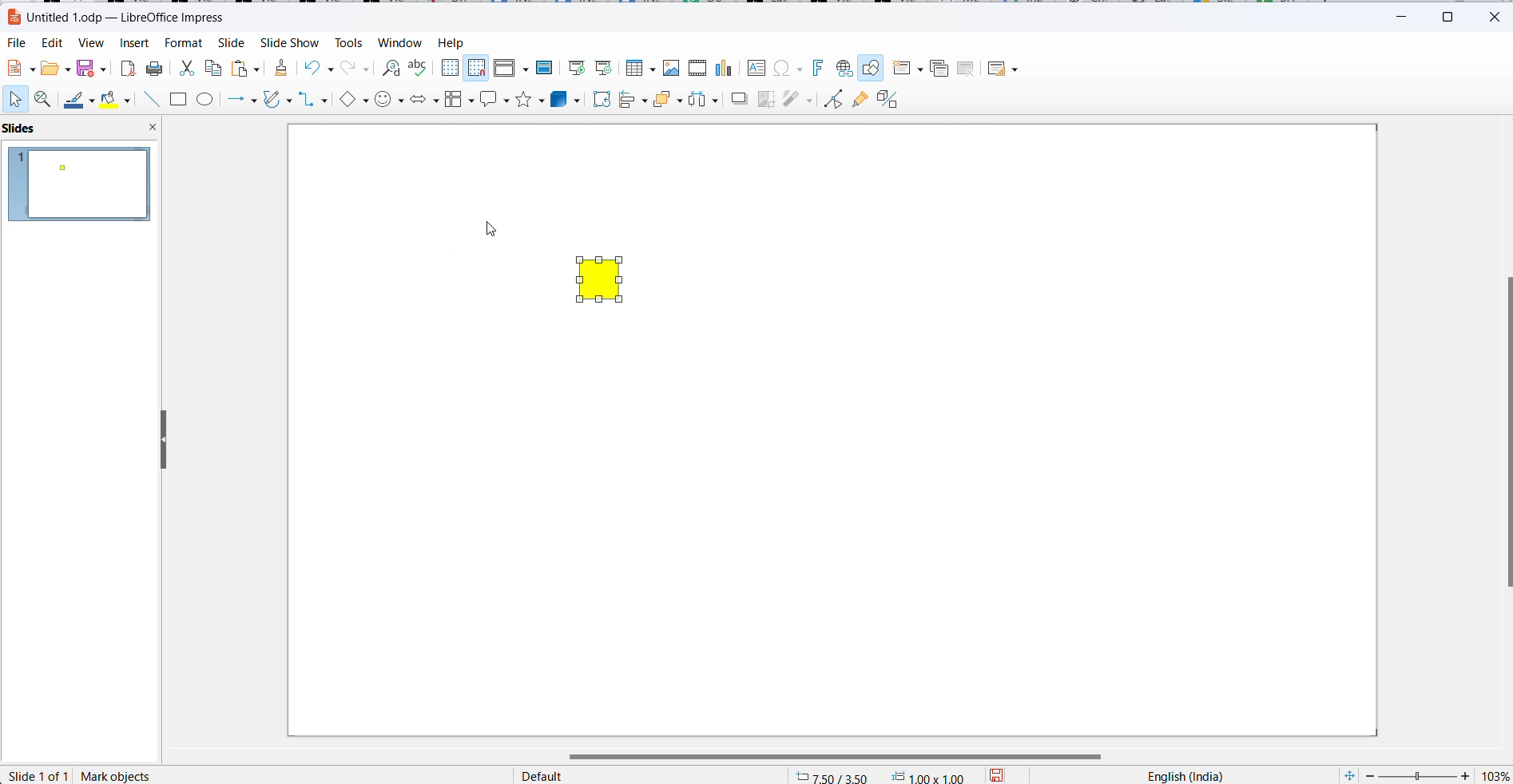  Describe the element at coordinates (347, 43) in the screenshot. I see `Tools` at that location.